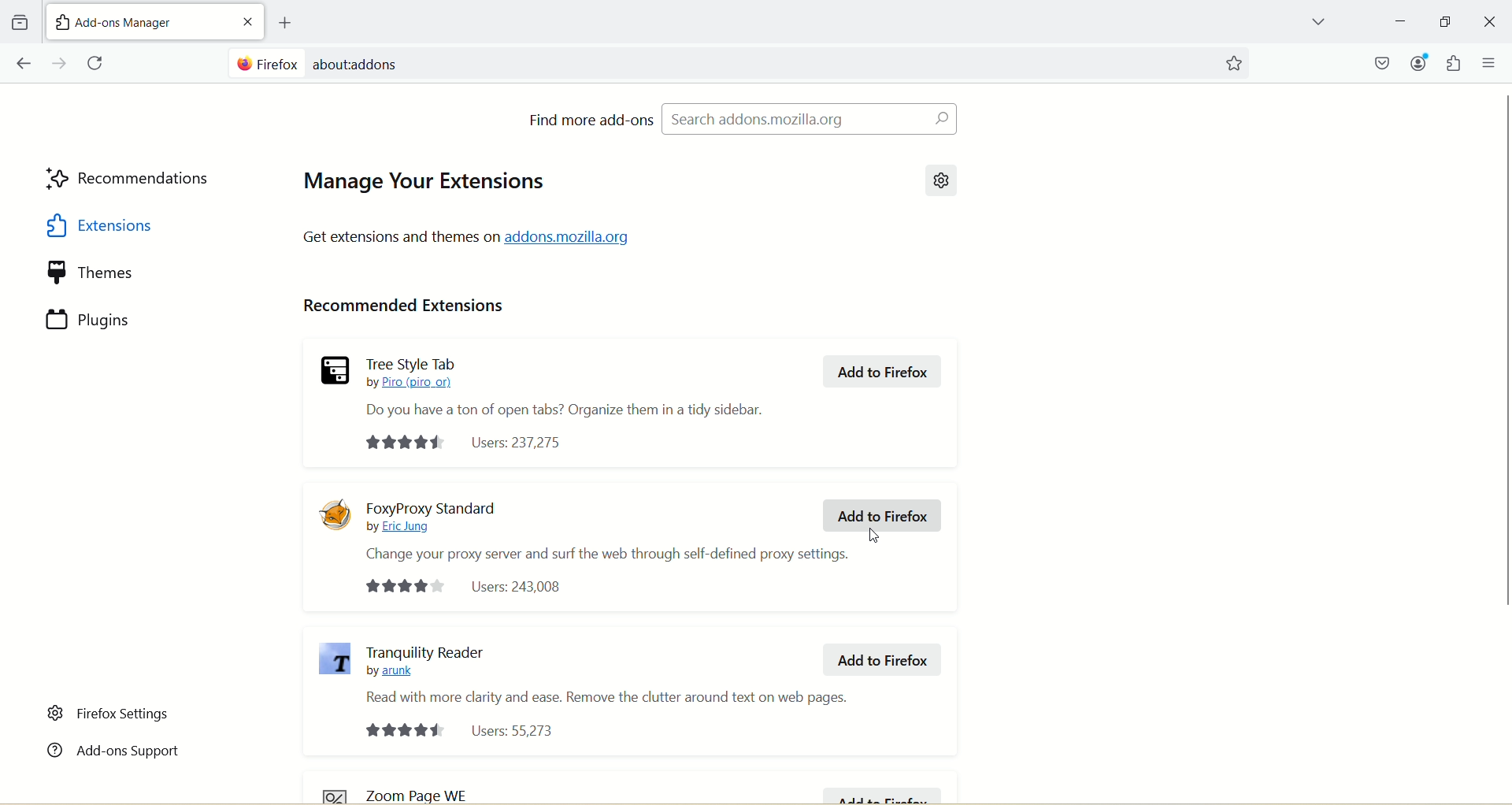 This screenshot has height=805, width=1512. What do you see at coordinates (1490, 62) in the screenshot?
I see `More` at bounding box center [1490, 62].